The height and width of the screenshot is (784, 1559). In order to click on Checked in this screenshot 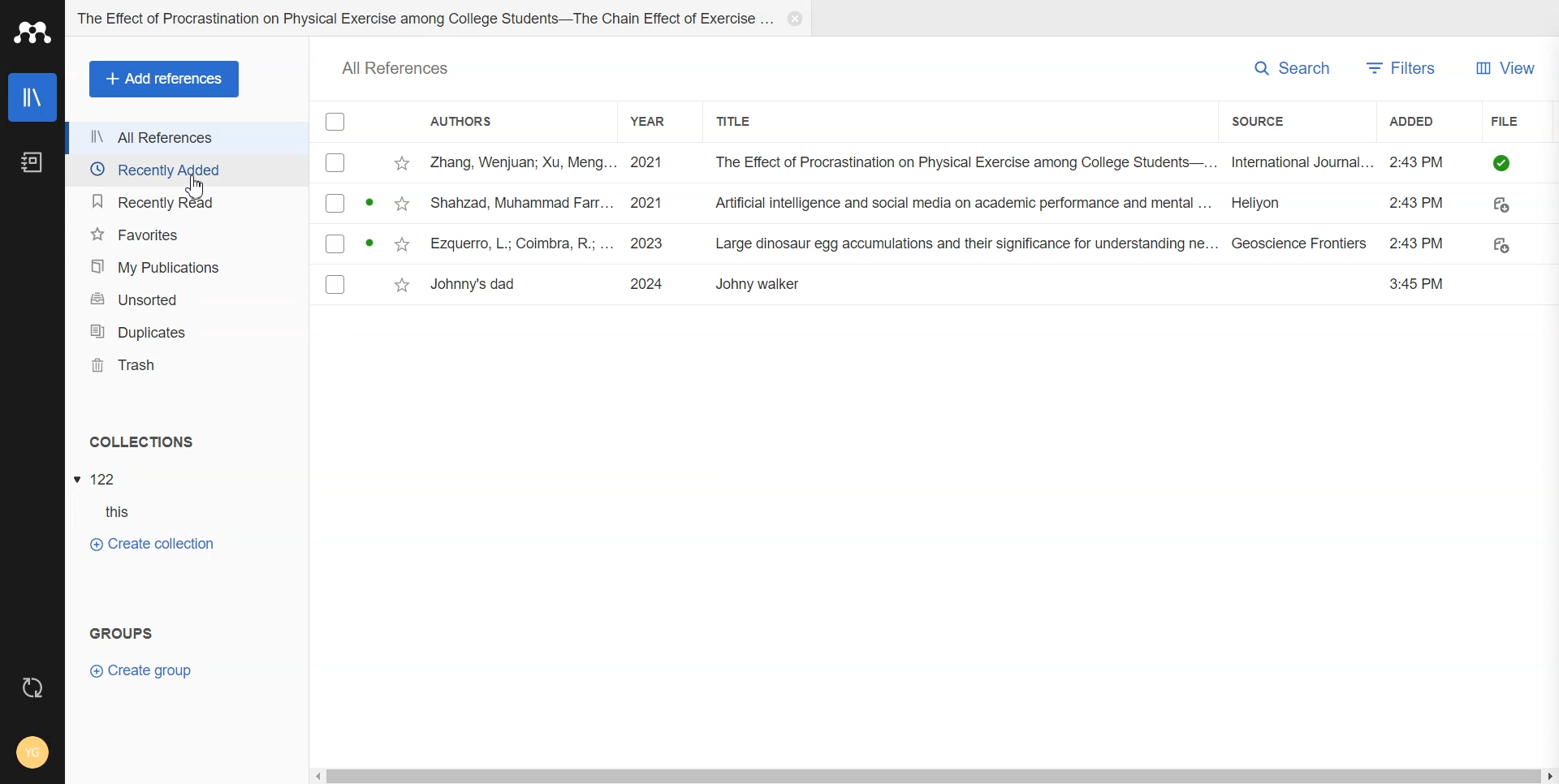, I will do `click(336, 122)`.